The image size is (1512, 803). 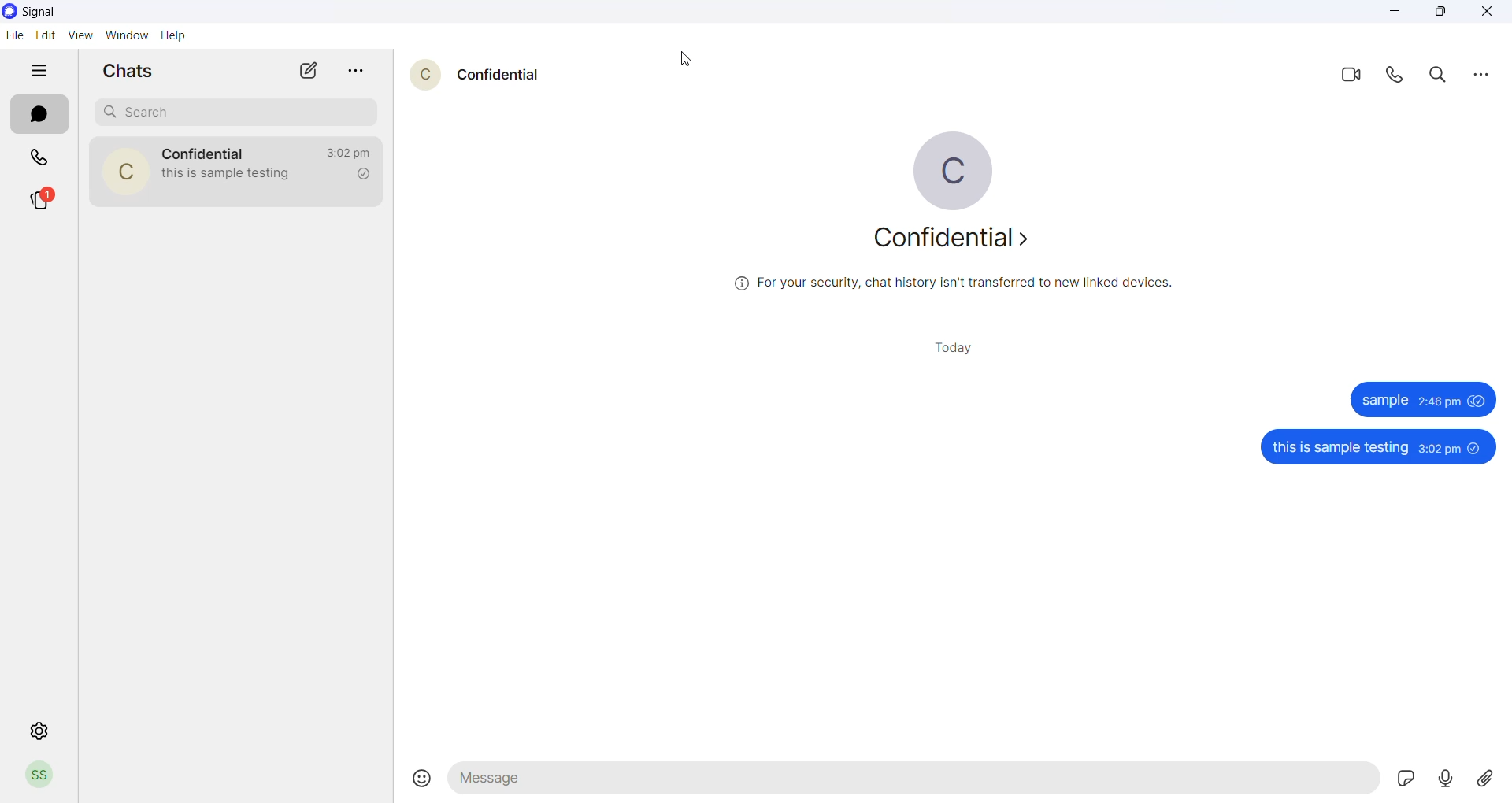 I want to click on read recipient , so click(x=361, y=176).